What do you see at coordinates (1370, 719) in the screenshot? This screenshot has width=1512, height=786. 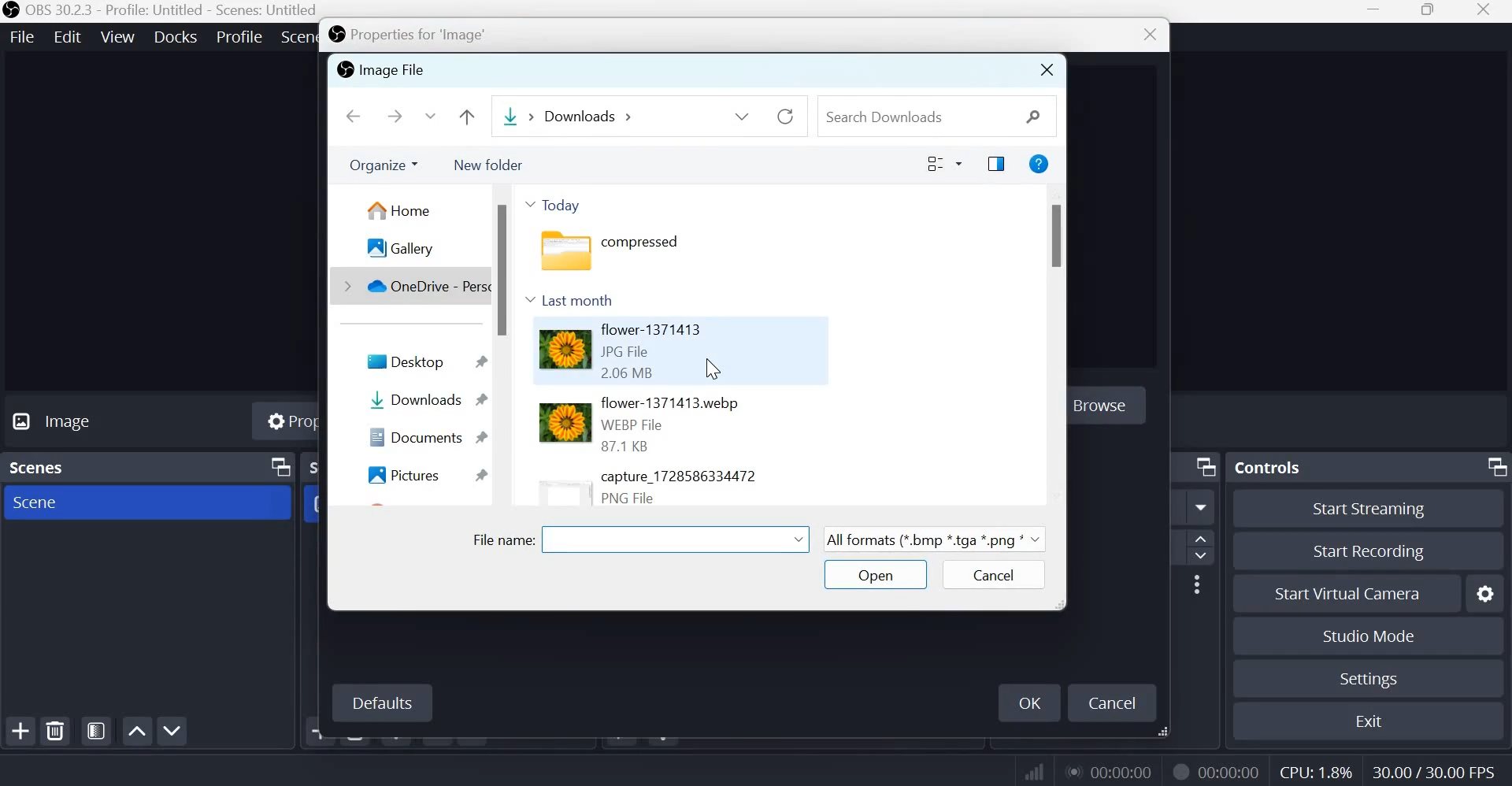 I see `Exit` at bounding box center [1370, 719].